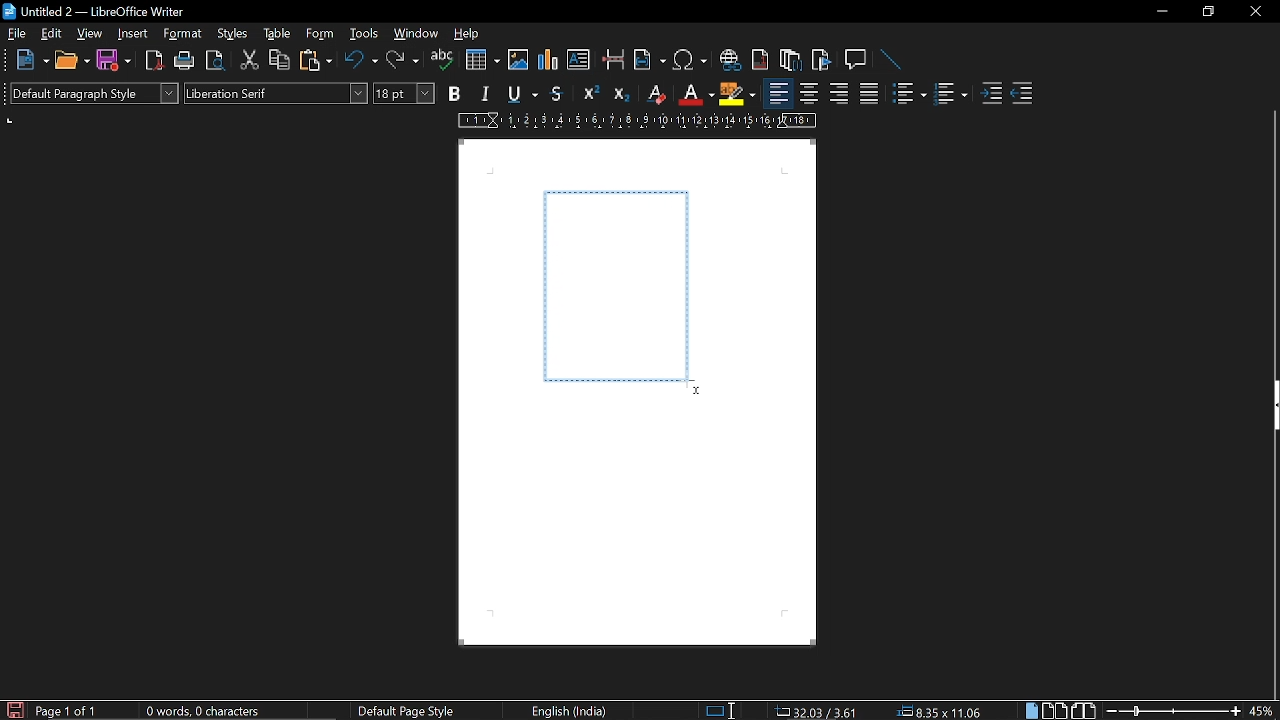 This screenshot has height=720, width=1280. What do you see at coordinates (1084, 710) in the screenshot?
I see `book view` at bounding box center [1084, 710].